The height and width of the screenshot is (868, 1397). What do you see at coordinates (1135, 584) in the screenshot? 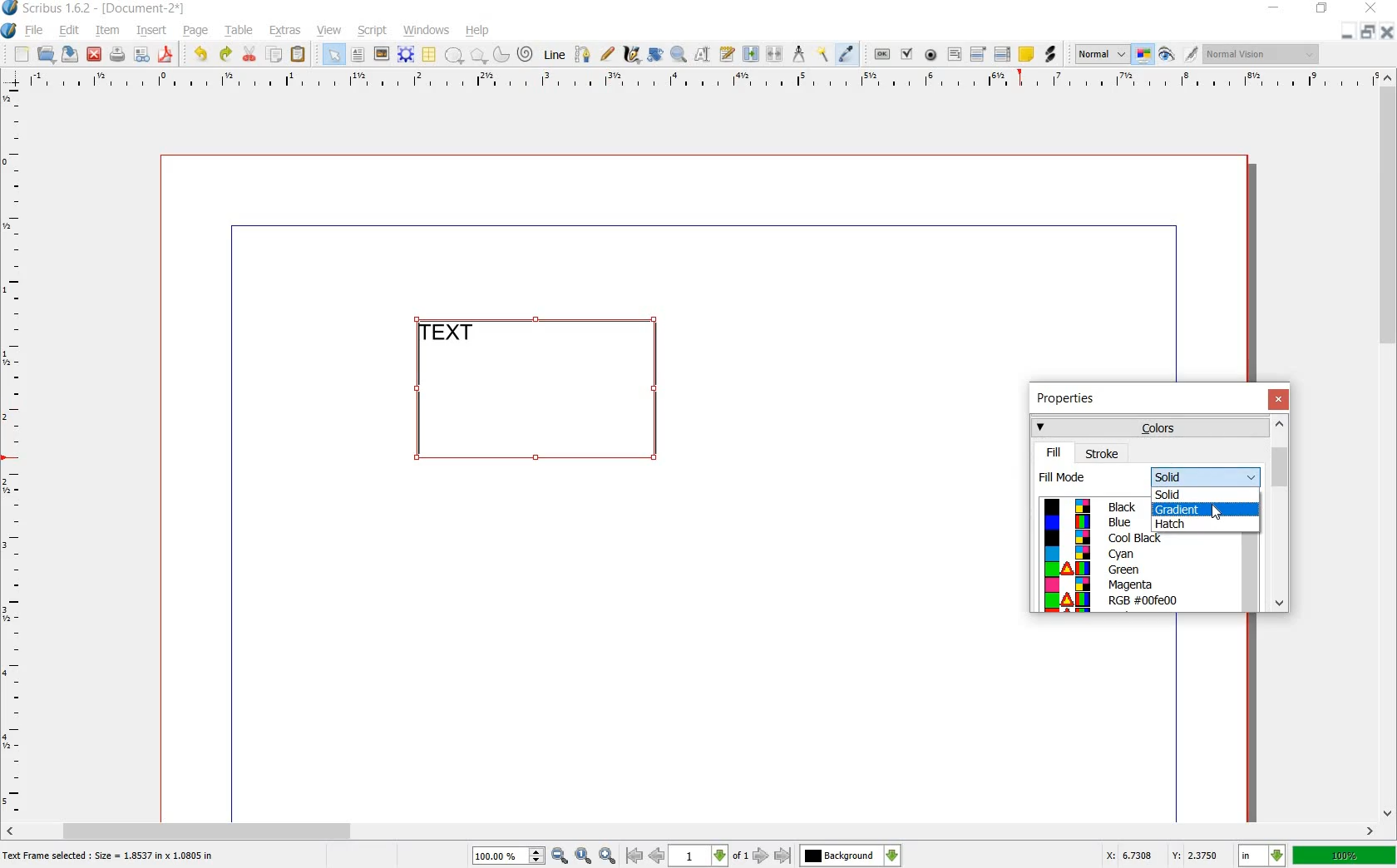
I see `Magenta` at bounding box center [1135, 584].